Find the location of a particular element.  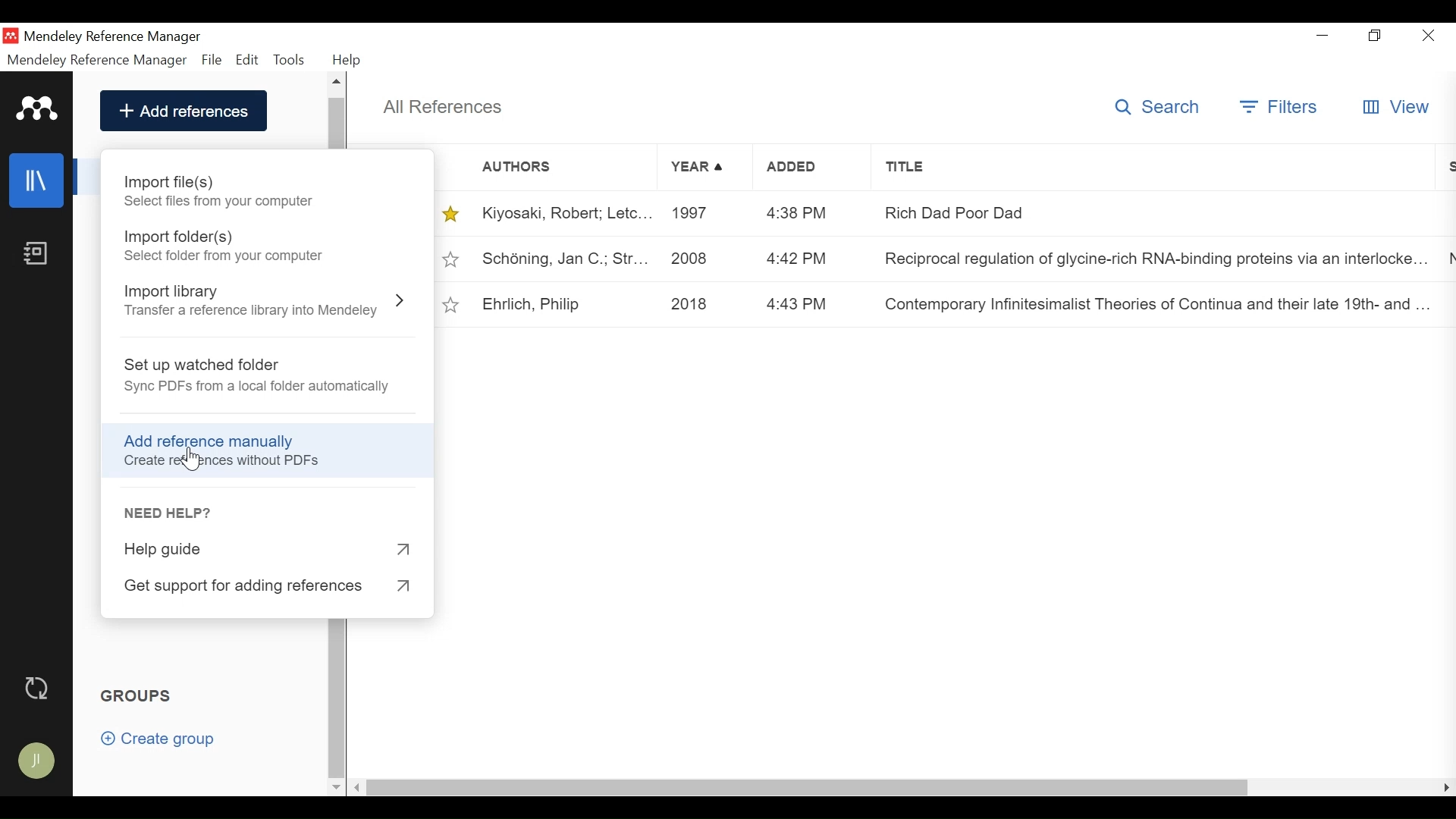

Toggle Favorites is located at coordinates (451, 260).